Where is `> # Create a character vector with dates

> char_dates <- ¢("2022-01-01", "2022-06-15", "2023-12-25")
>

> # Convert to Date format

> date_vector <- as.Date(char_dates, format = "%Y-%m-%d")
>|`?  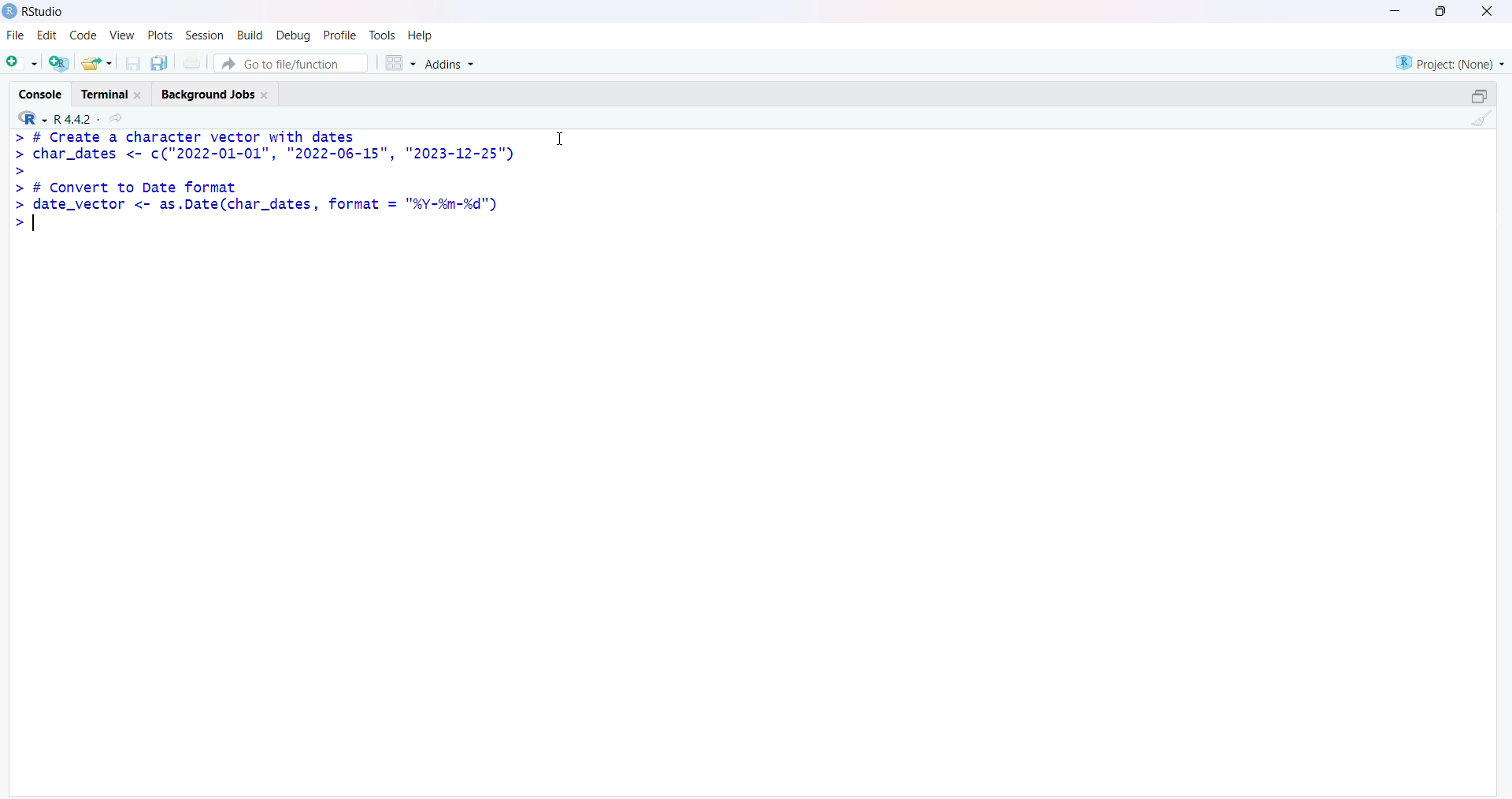 > # Create a character vector with dates

> char_dates <- ¢("2022-01-01", "2022-06-15", "2023-12-25")
>

> # Convert to Date format

> date_vector <- as.Date(char_dates, format = "%Y-%m-%d")
>| is located at coordinates (265, 188).